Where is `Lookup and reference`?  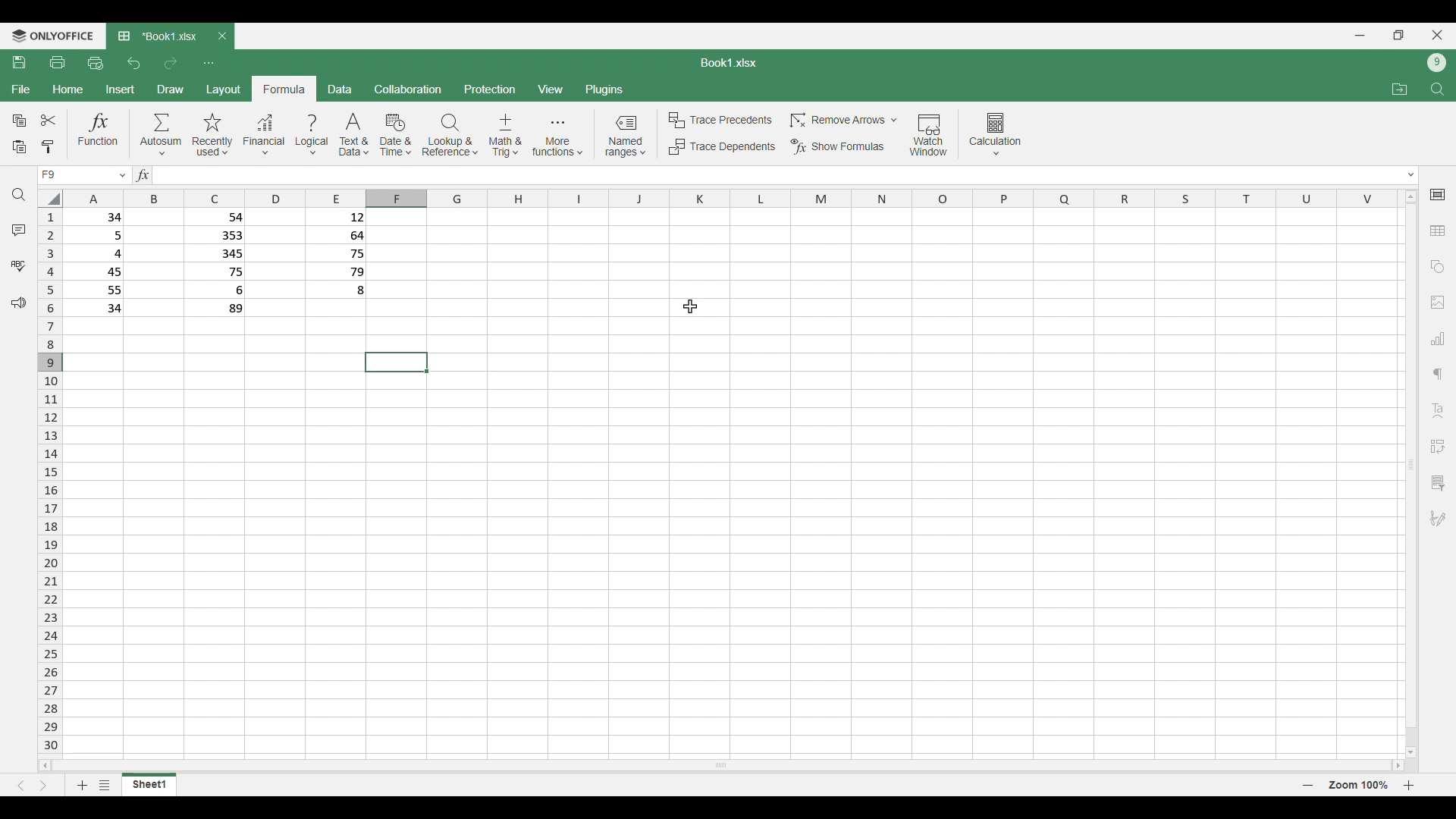
Lookup and reference is located at coordinates (450, 135).